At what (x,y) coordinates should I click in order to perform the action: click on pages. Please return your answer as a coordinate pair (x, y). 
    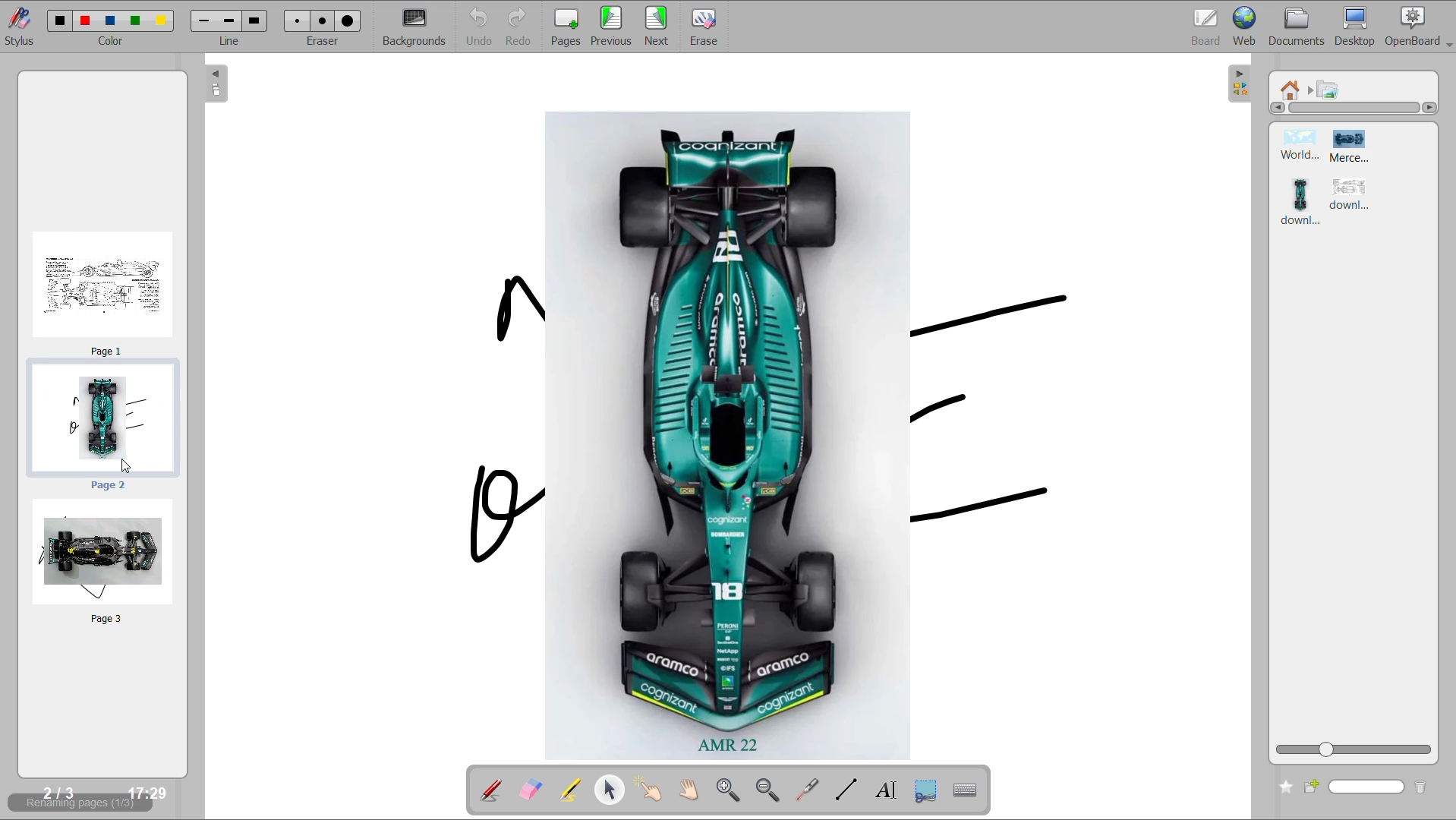
    Looking at the image, I should click on (566, 27).